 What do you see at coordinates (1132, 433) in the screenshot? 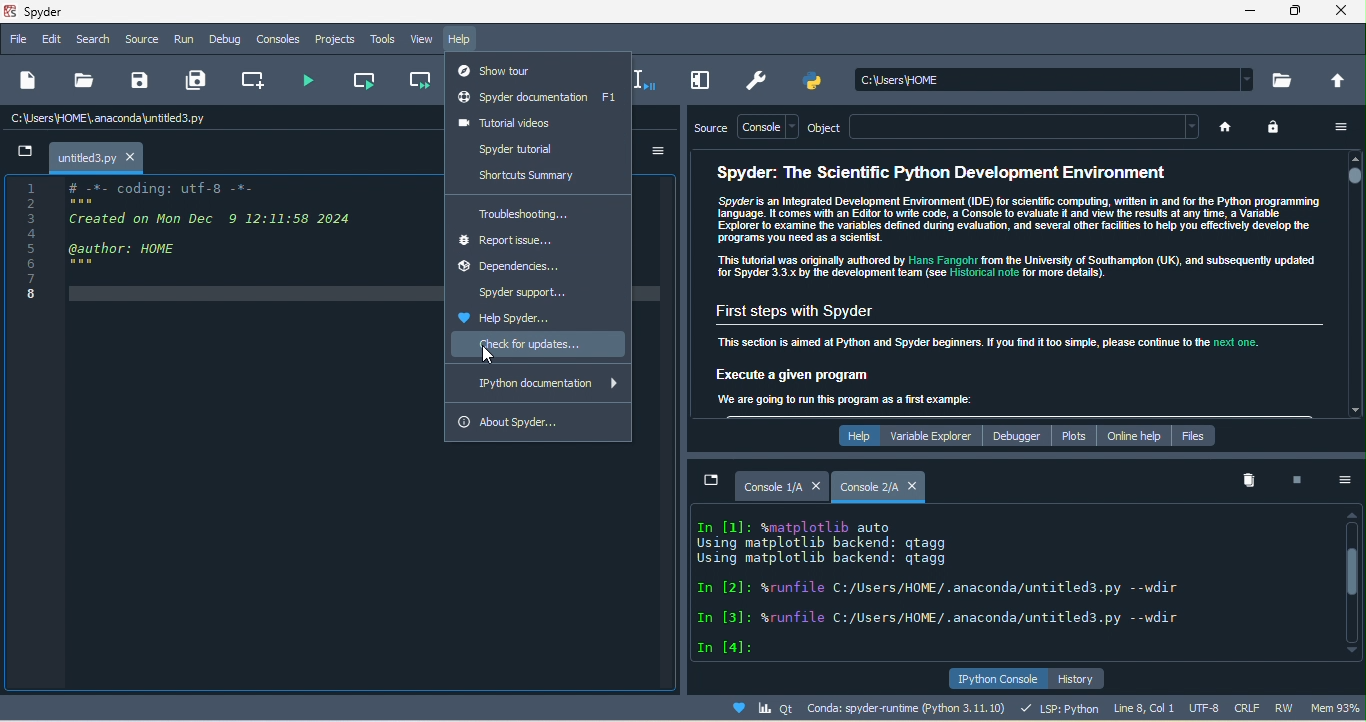
I see `online help` at bounding box center [1132, 433].